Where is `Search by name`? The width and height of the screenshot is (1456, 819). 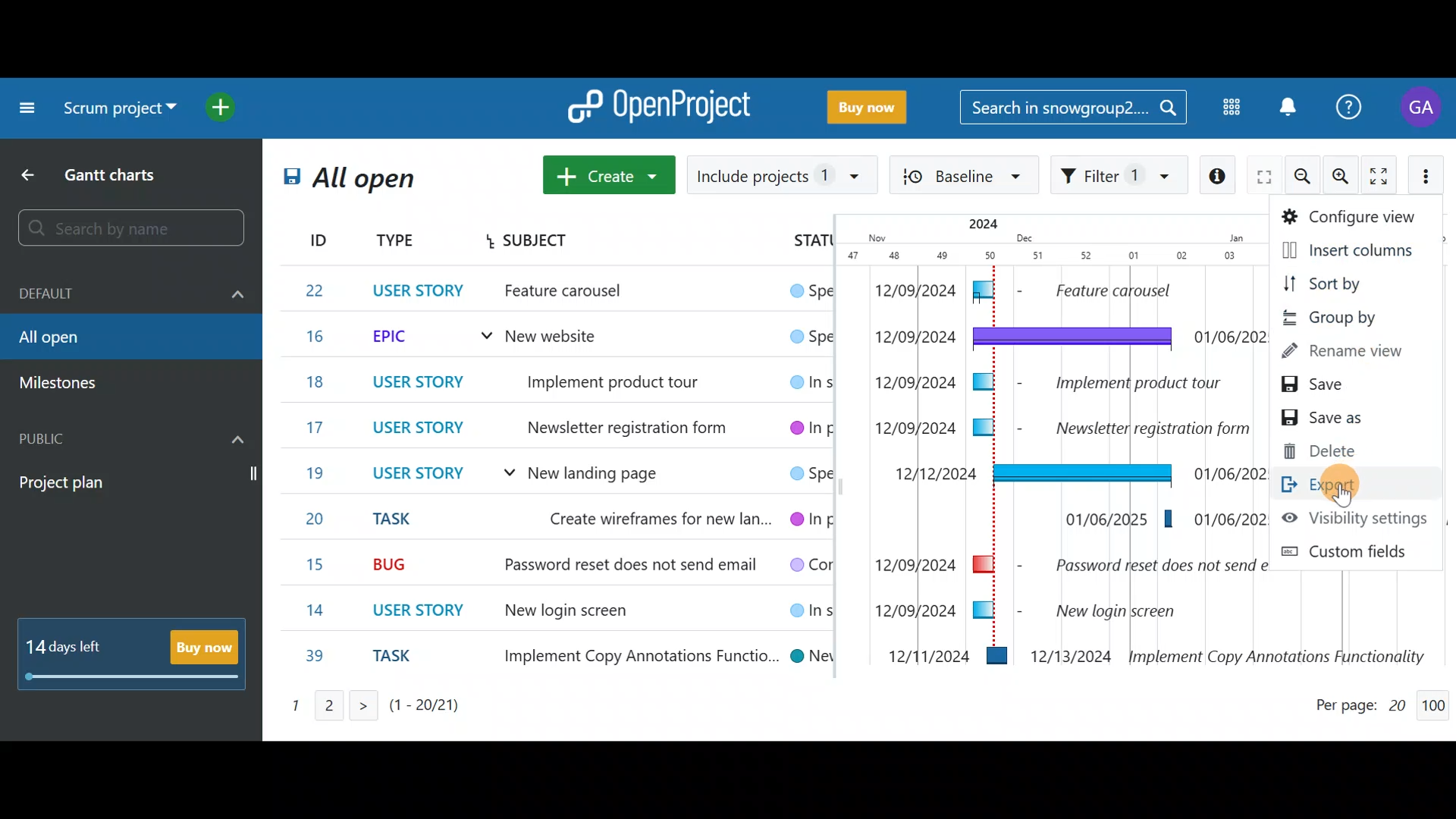 Search by name is located at coordinates (135, 229).